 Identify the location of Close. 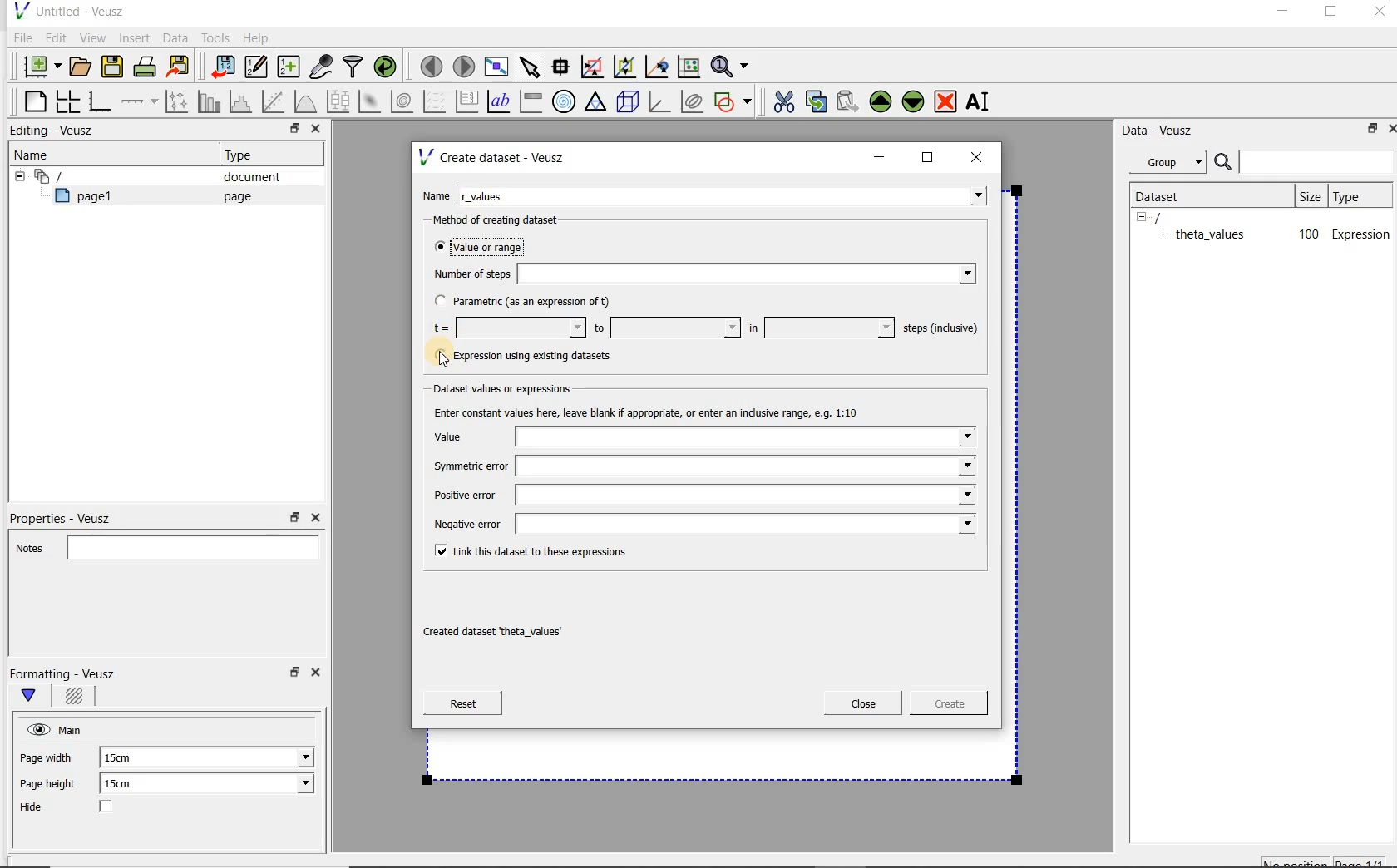
(863, 703).